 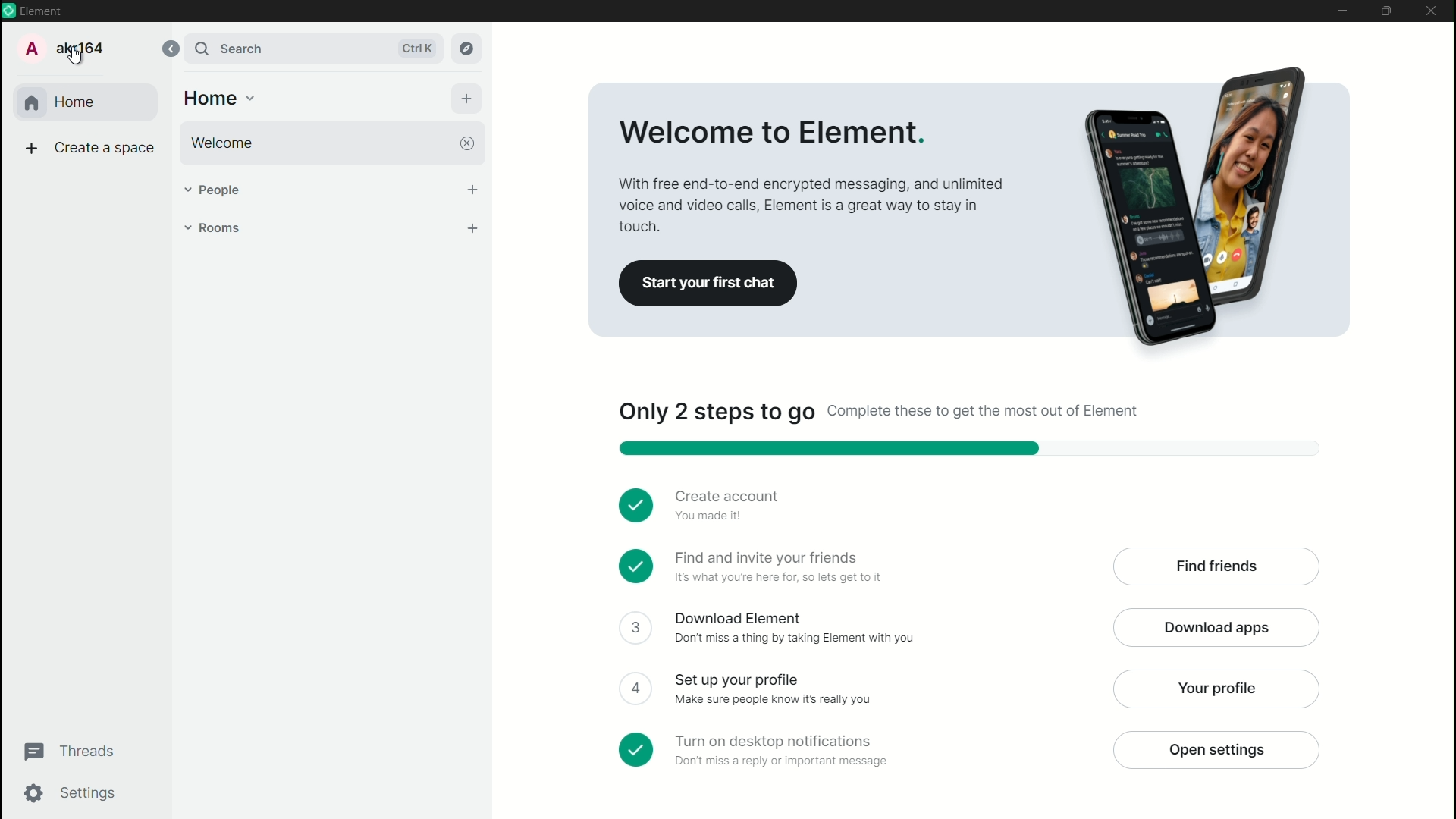 What do you see at coordinates (291, 49) in the screenshot?
I see `search bar` at bounding box center [291, 49].